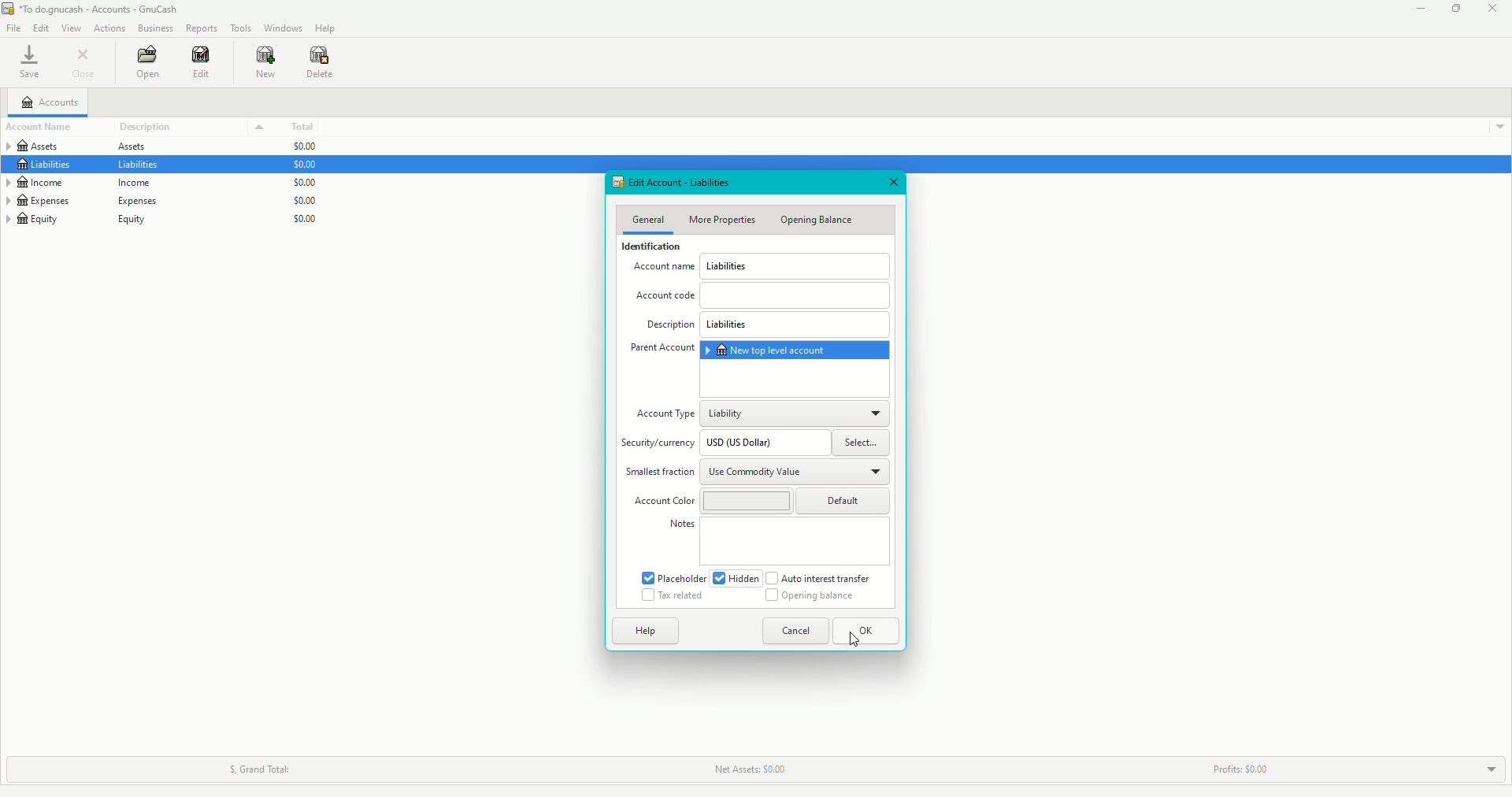  What do you see at coordinates (761, 297) in the screenshot?
I see `Account Code` at bounding box center [761, 297].